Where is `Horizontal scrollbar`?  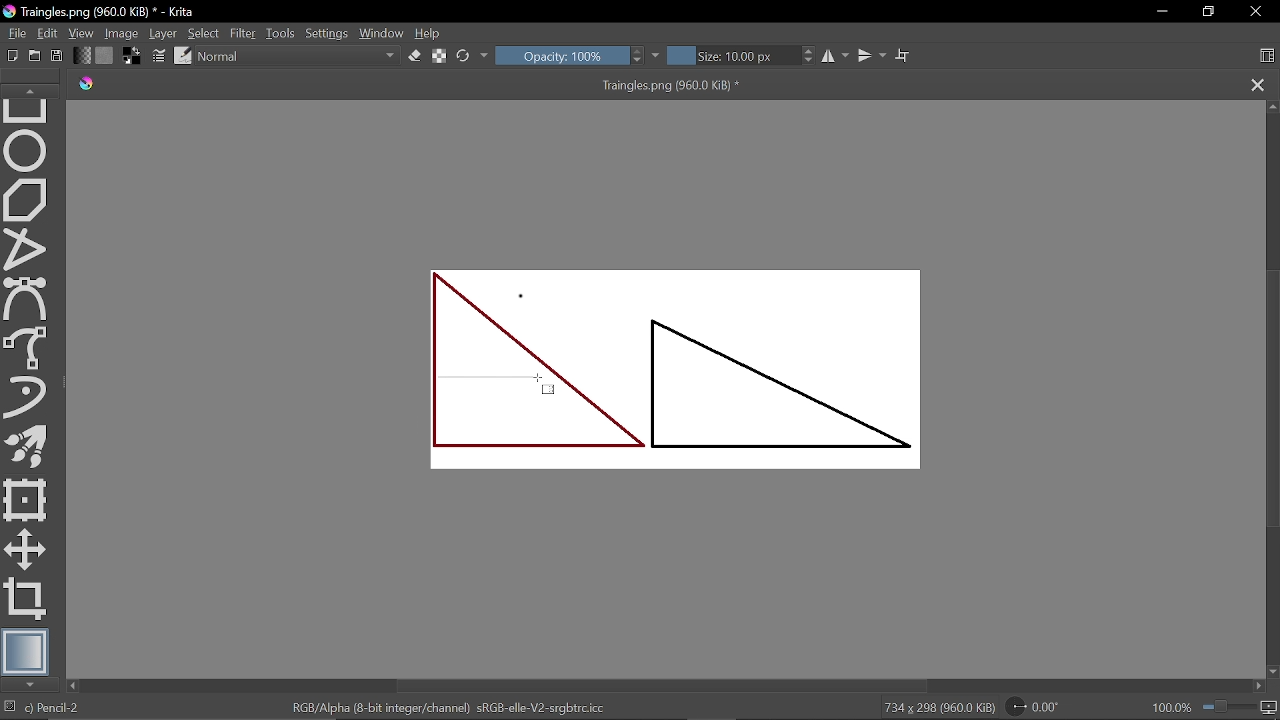 Horizontal scrollbar is located at coordinates (663, 686).